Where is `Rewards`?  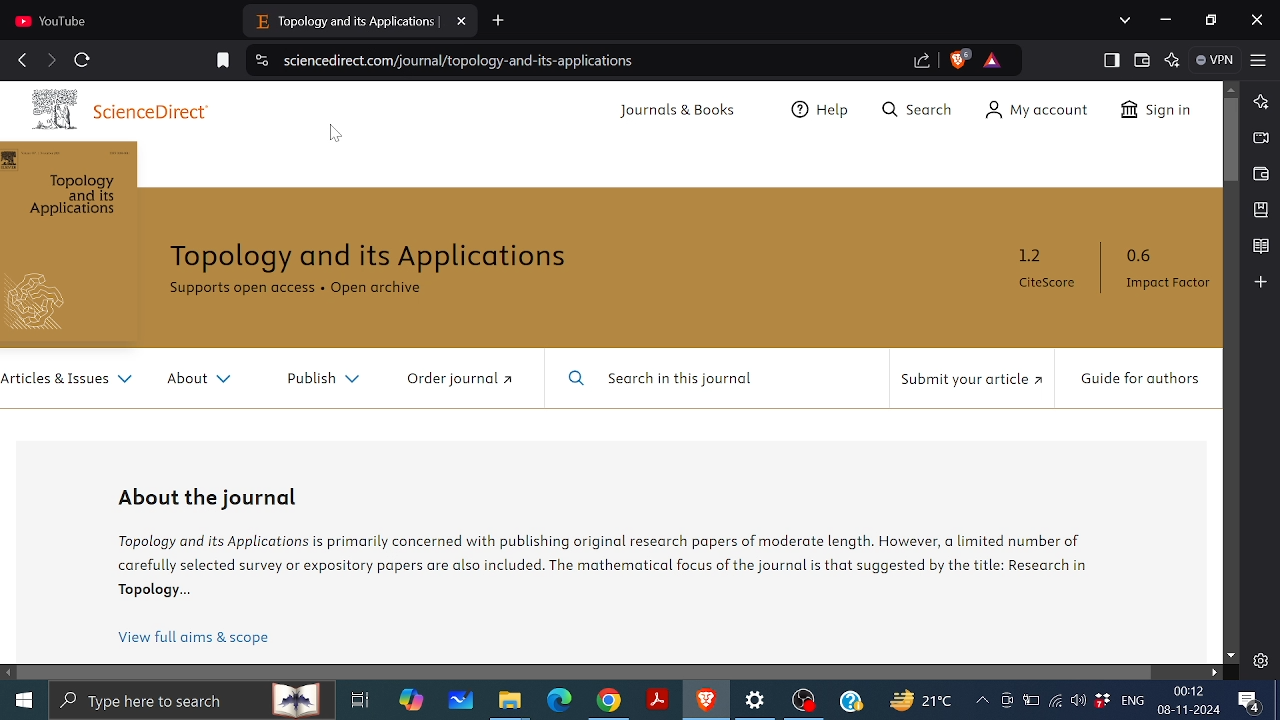 Rewards is located at coordinates (992, 60).